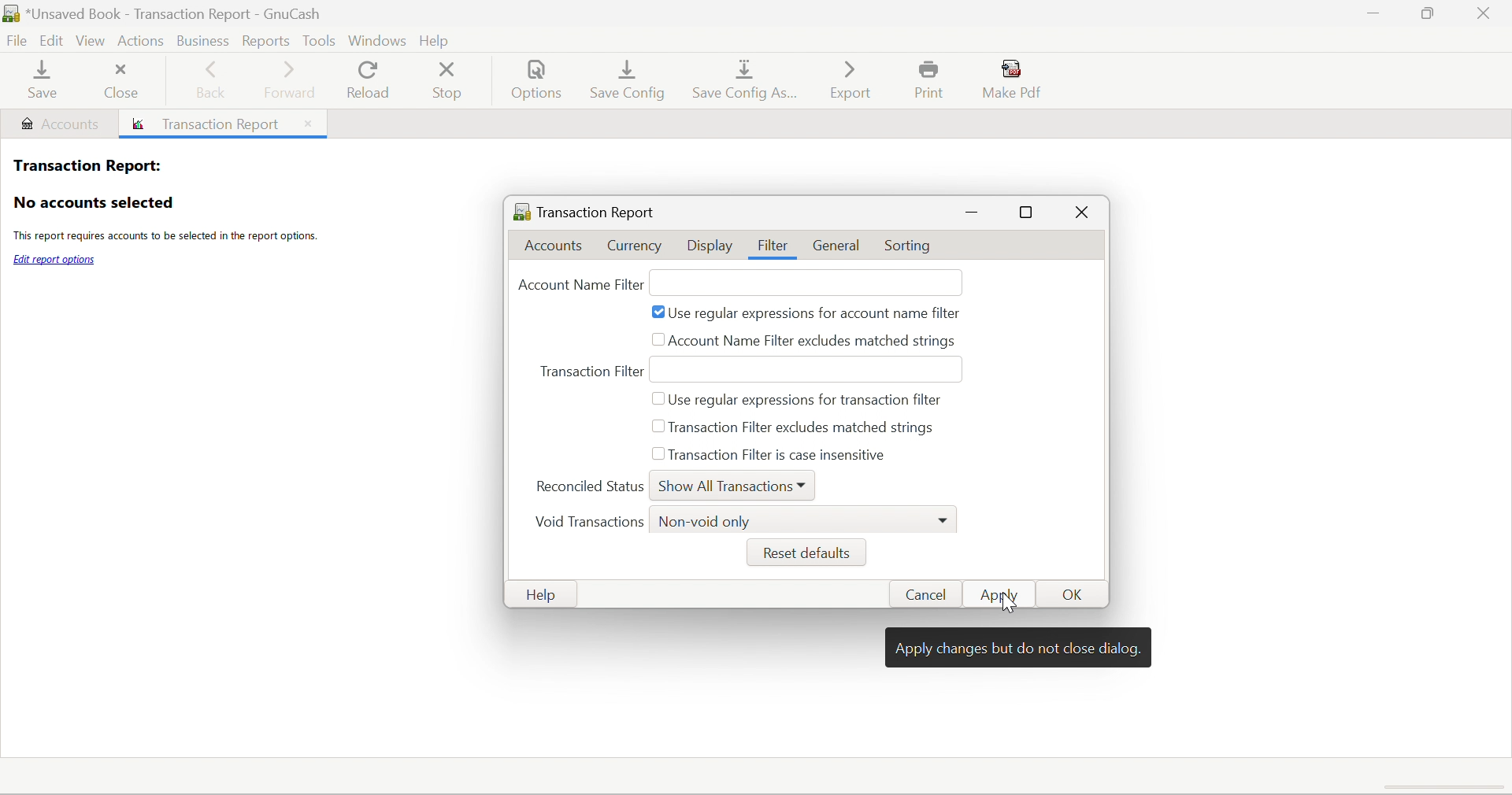 This screenshot has height=795, width=1512. Describe the element at coordinates (1369, 14) in the screenshot. I see `Minimize` at that location.